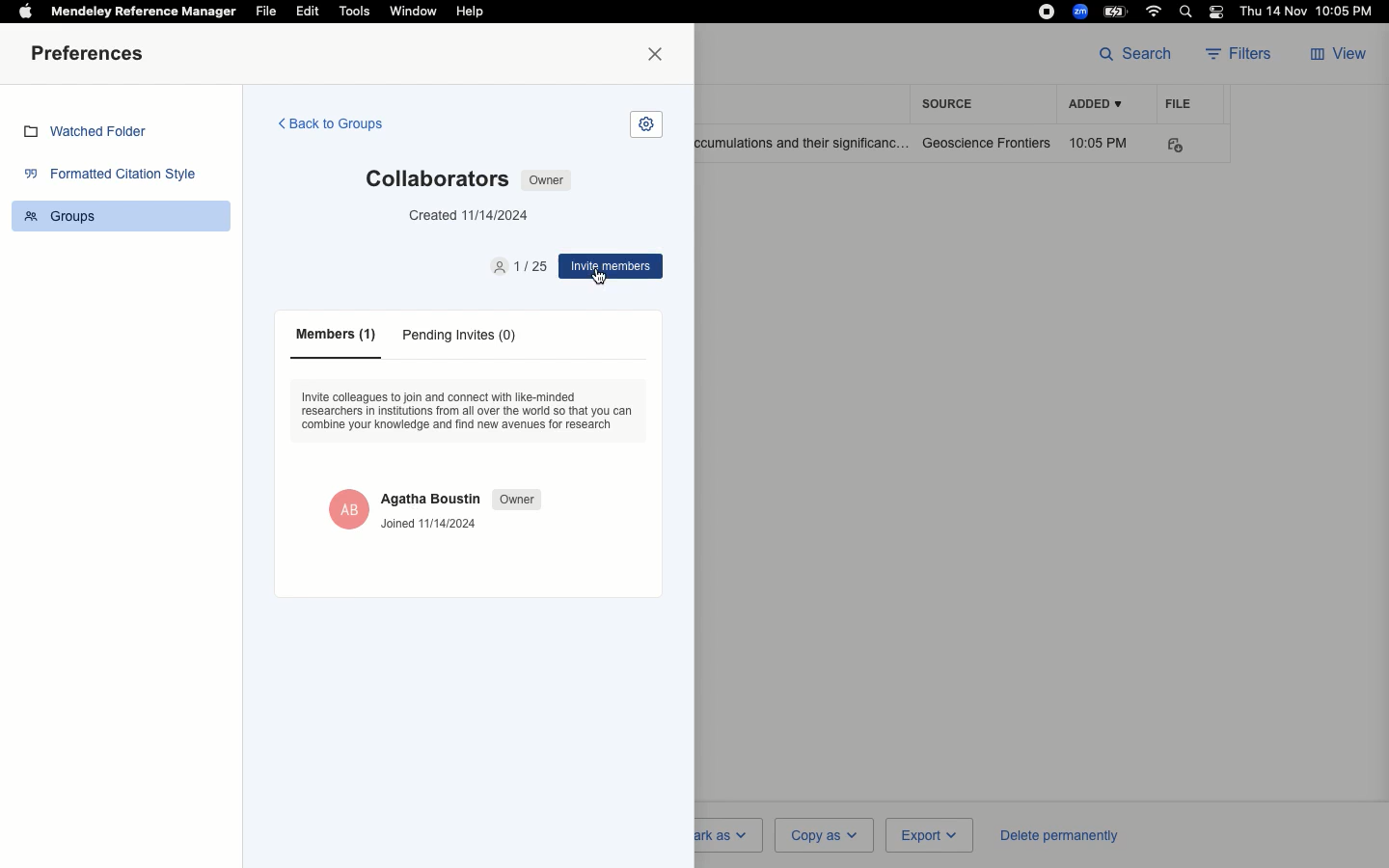 This screenshot has height=868, width=1389. What do you see at coordinates (823, 834) in the screenshot?
I see `Copy as` at bounding box center [823, 834].